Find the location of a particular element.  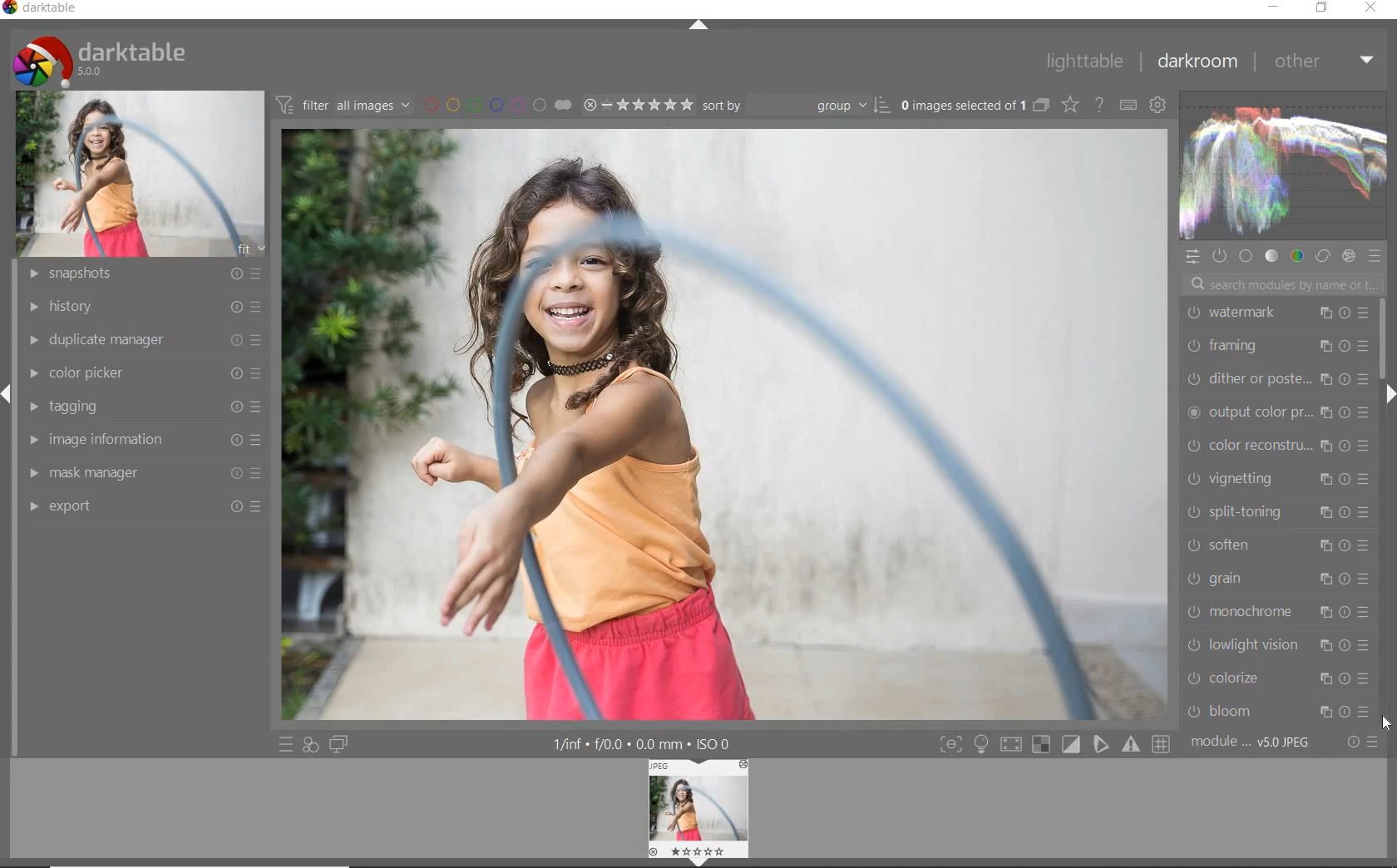

toggle mode  is located at coordinates (1102, 747).